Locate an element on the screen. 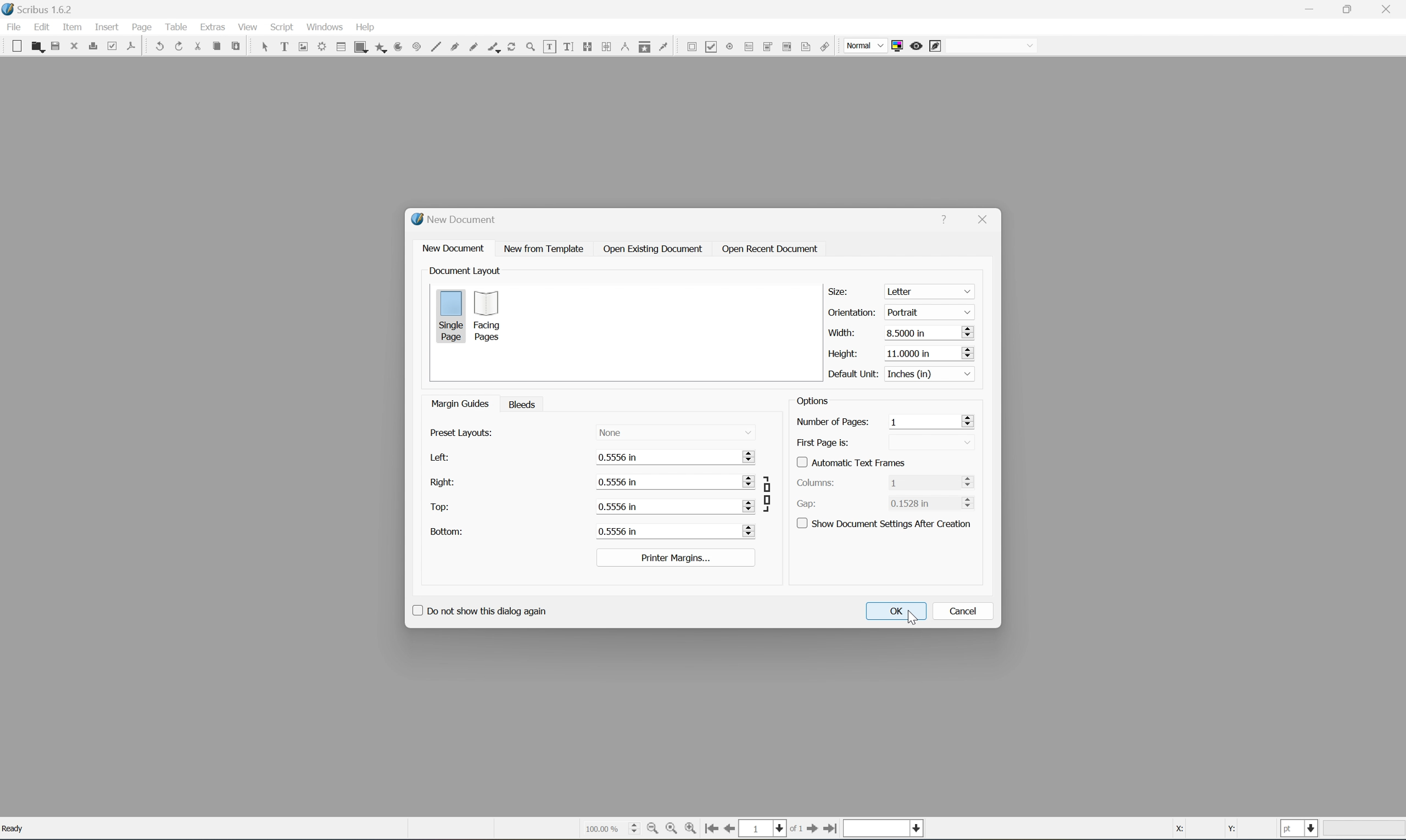 The image size is (1406, 840). pdf text field is located at coordinates (750, 46).